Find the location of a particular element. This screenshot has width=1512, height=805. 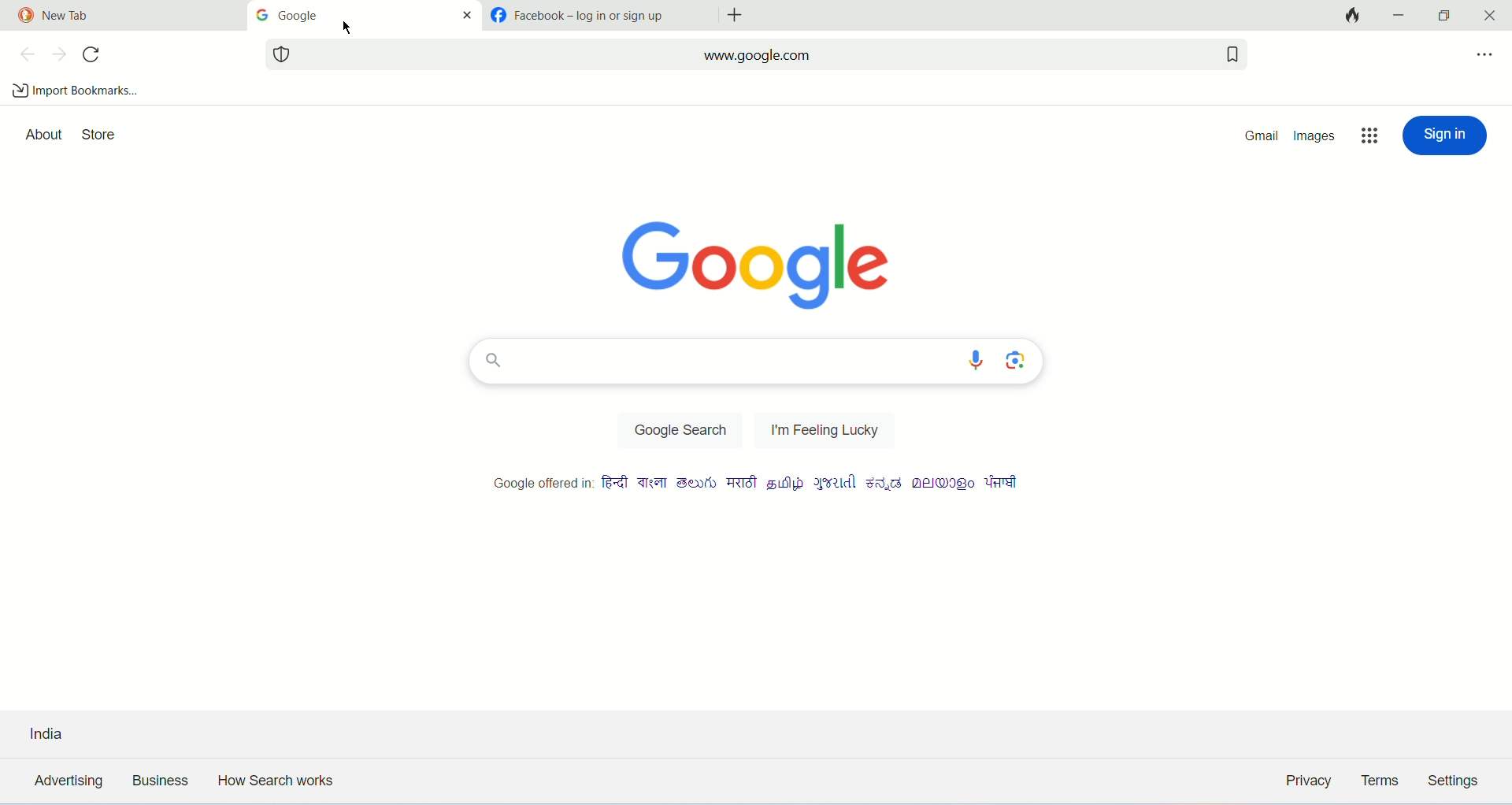

Google offered in is located at coordinates (754, 484).